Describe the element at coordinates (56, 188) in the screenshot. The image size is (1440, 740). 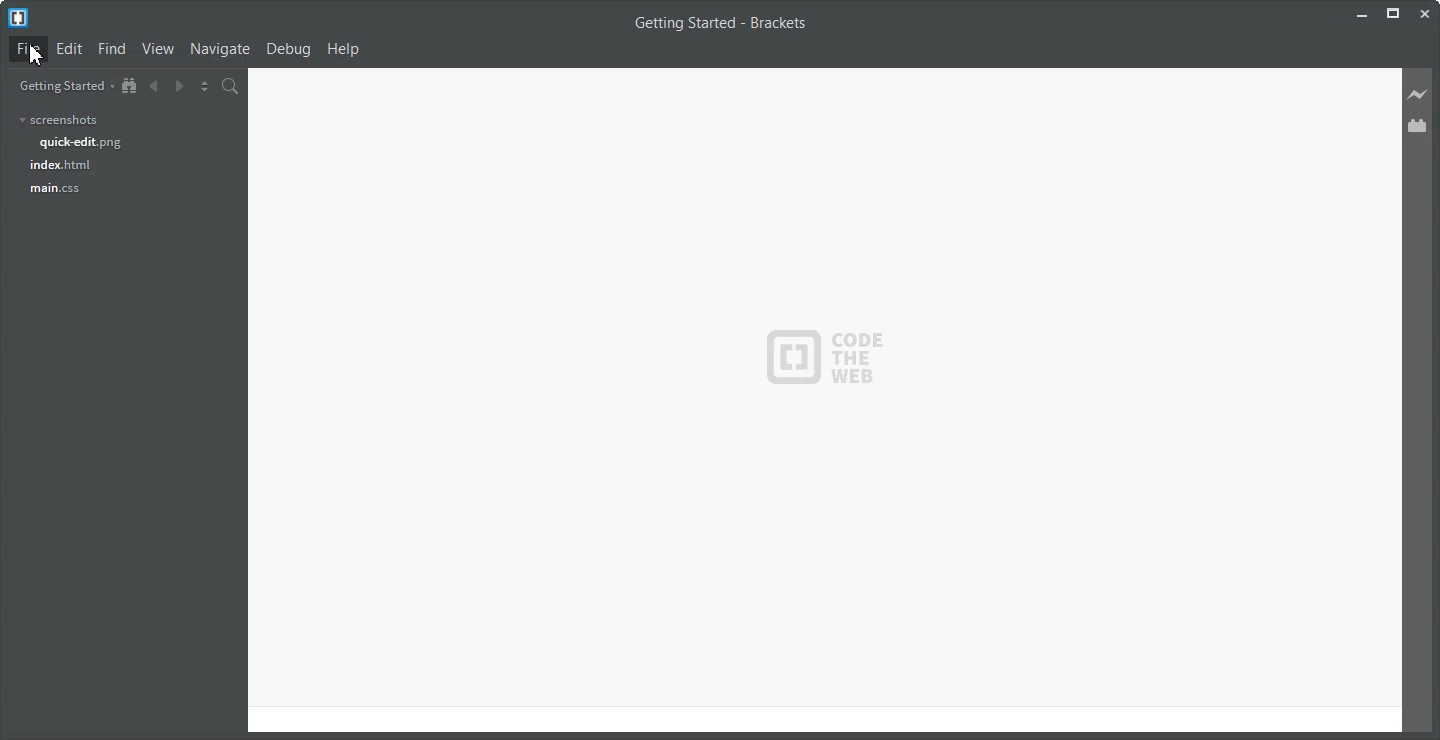
I see `main.css` at that location.